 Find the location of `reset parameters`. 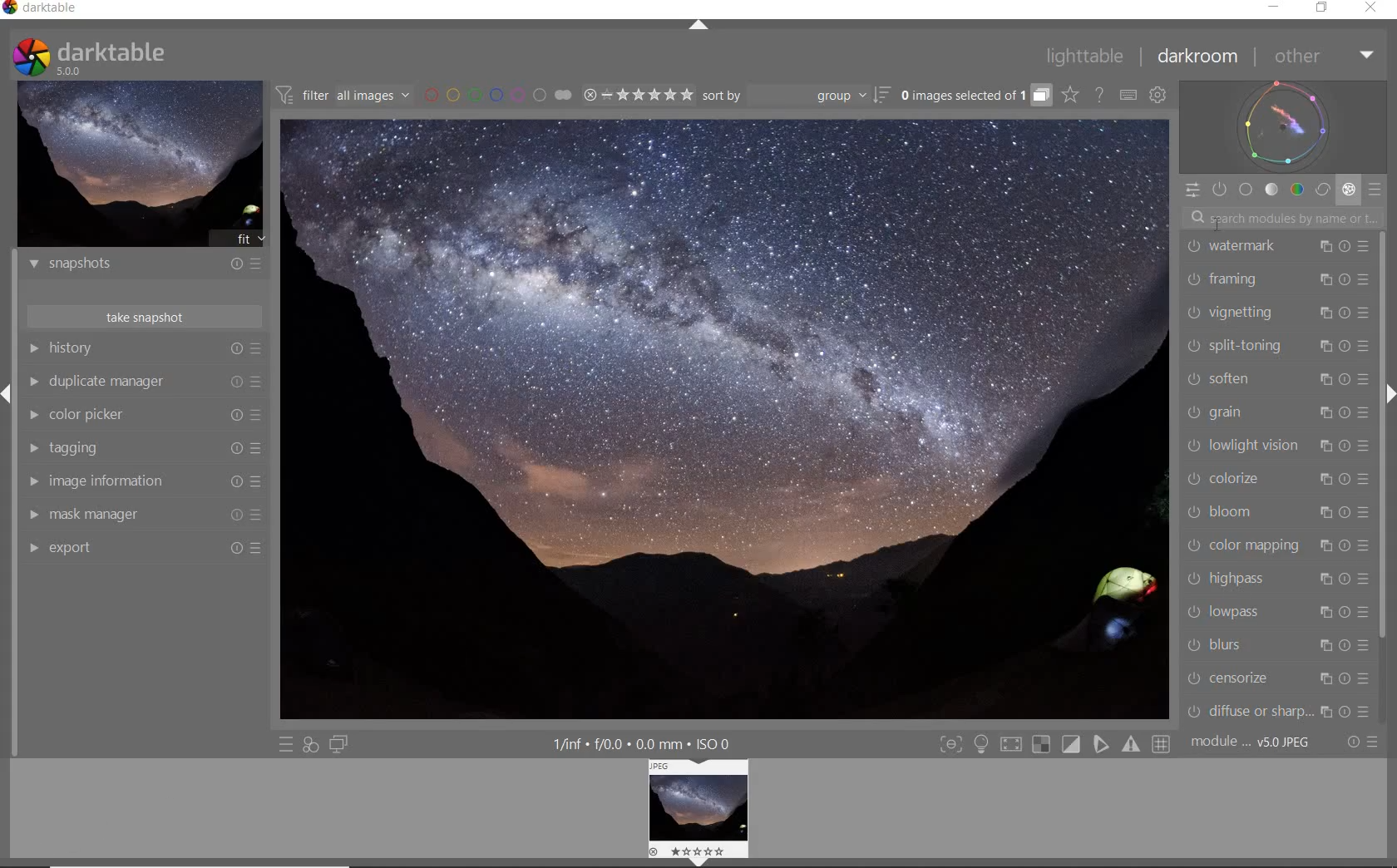

reset parameters is located at coordinates (1346, 609).